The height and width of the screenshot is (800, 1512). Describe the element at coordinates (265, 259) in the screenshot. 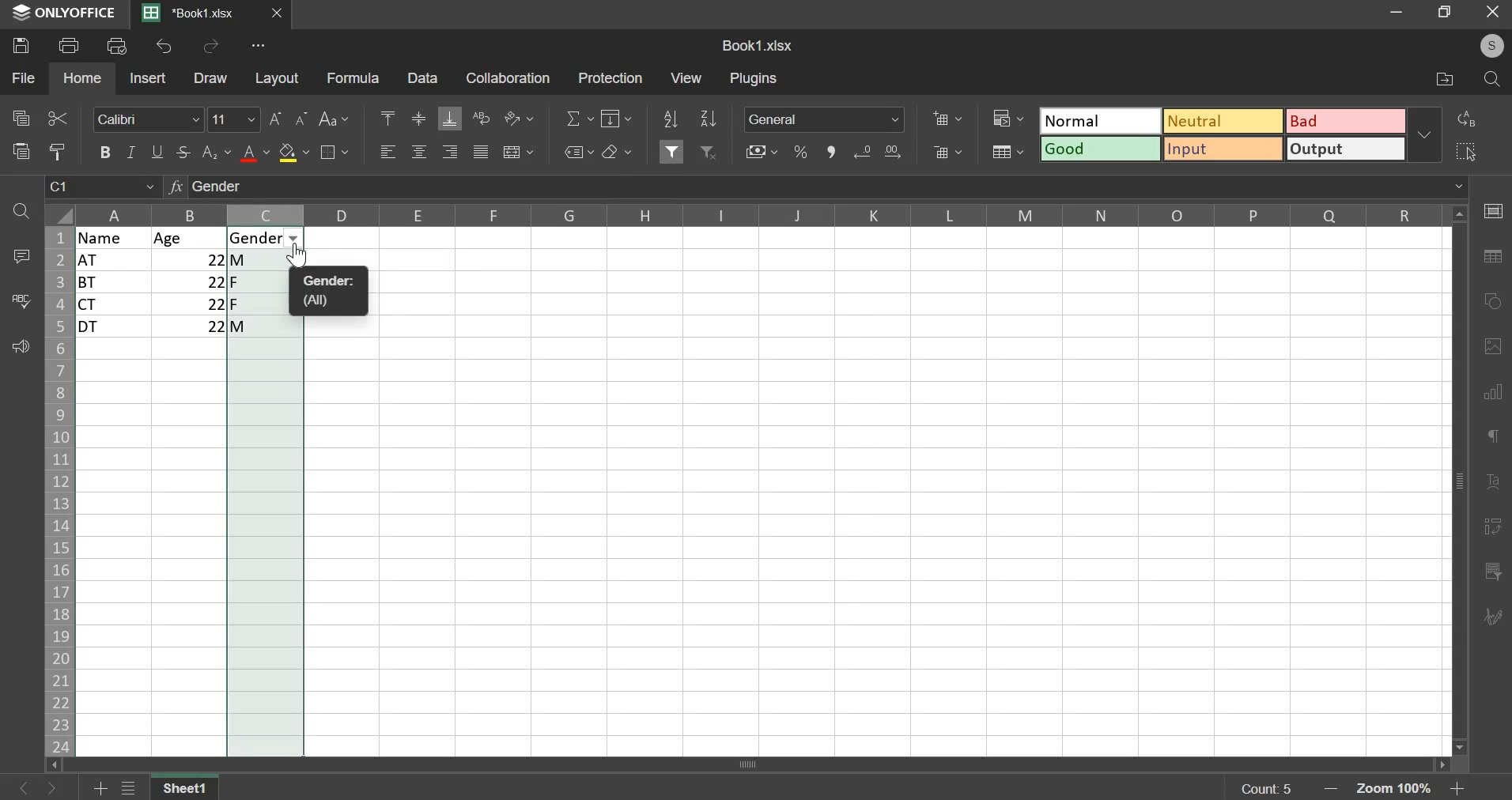

I see `m` at that location.